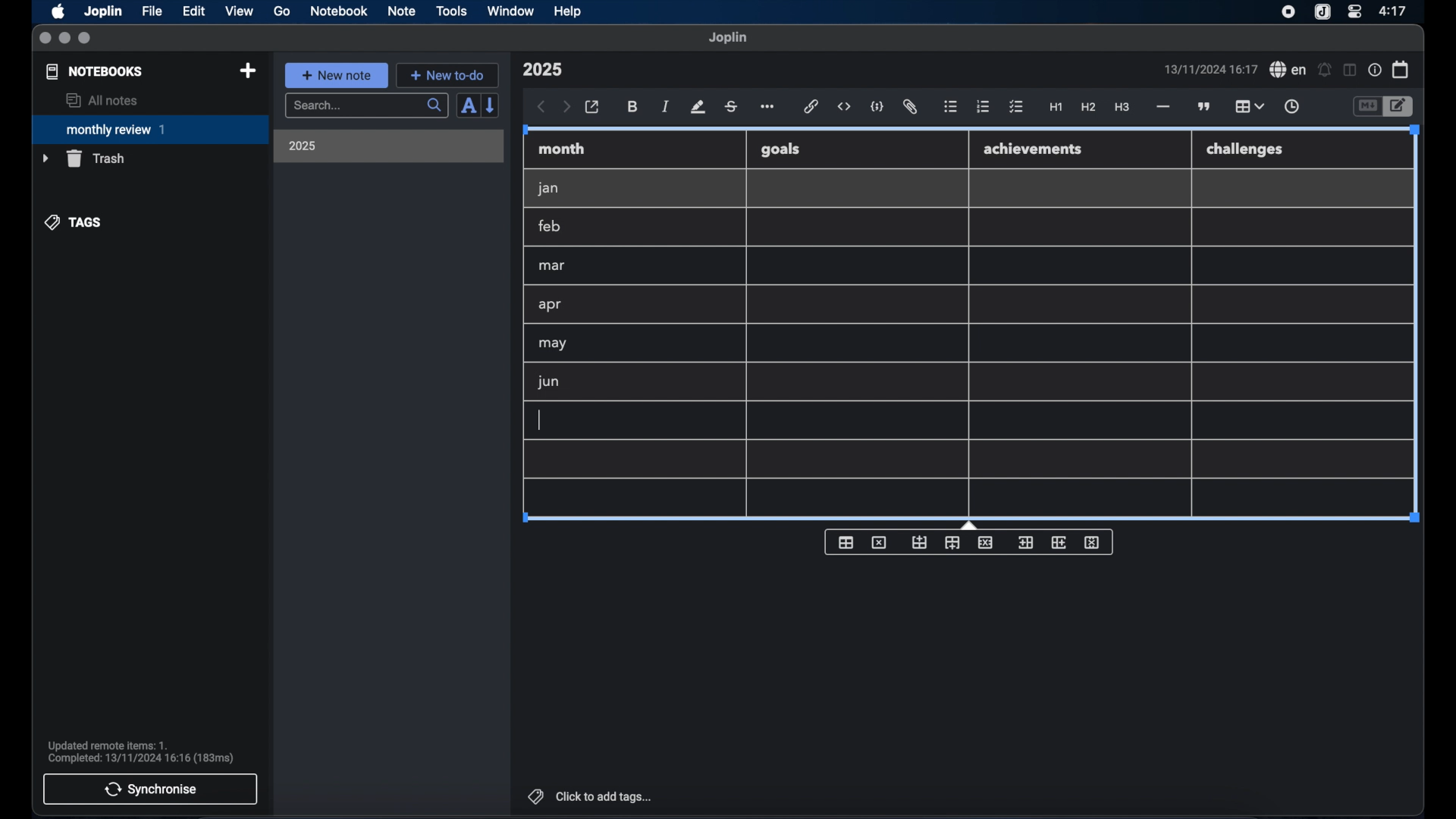 The image size is (1456, 819). What do you see at coordinates (983, 106) in the screenshot?
I see `numbered list` at bounding box center [983, 106].